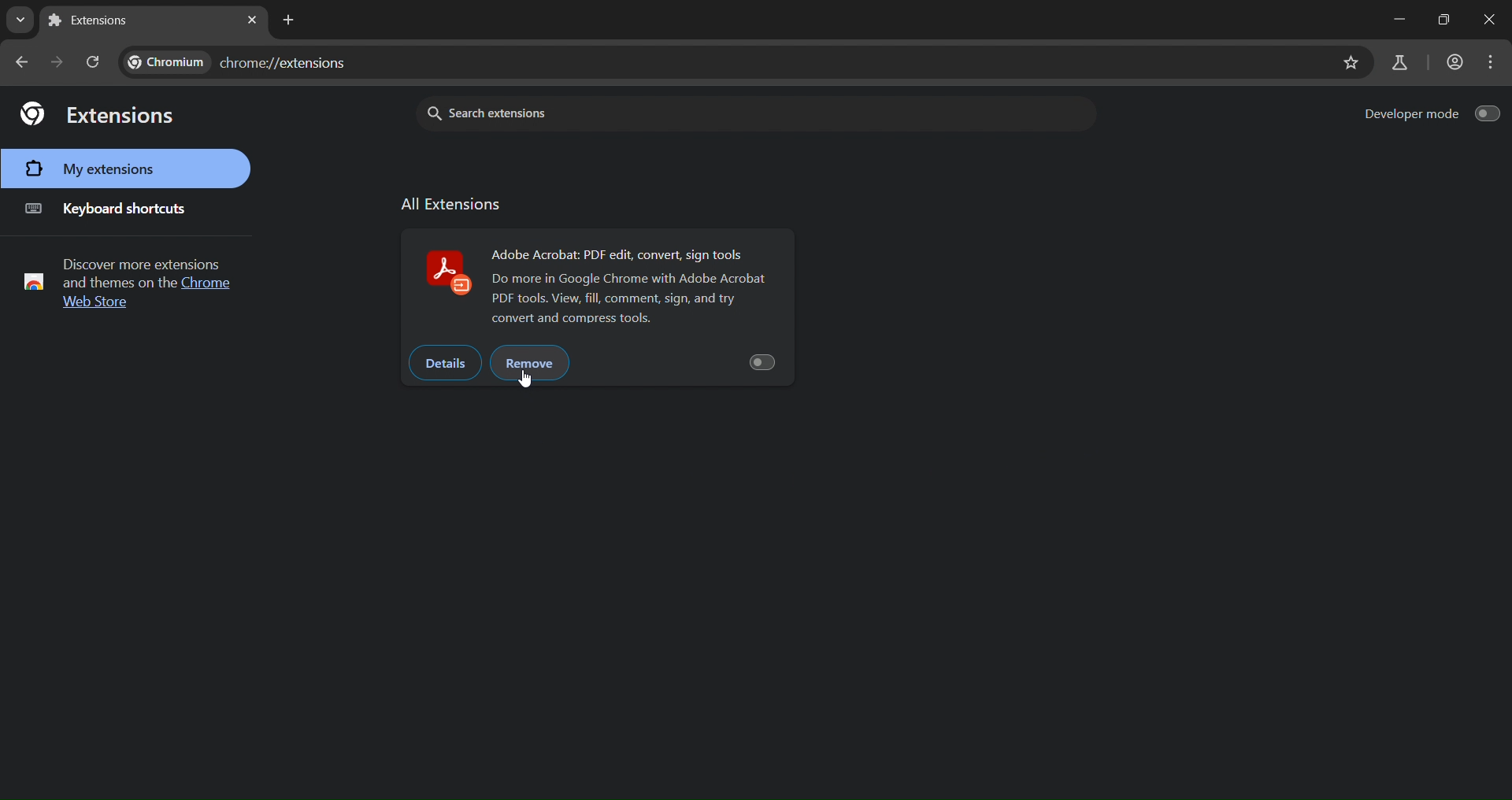 Image resolution: width=1512 pixels, height=800 pixels. What do you see at coordinates (762, 365) in the screenshot?
I see `button` at bounding box center [762, 365].